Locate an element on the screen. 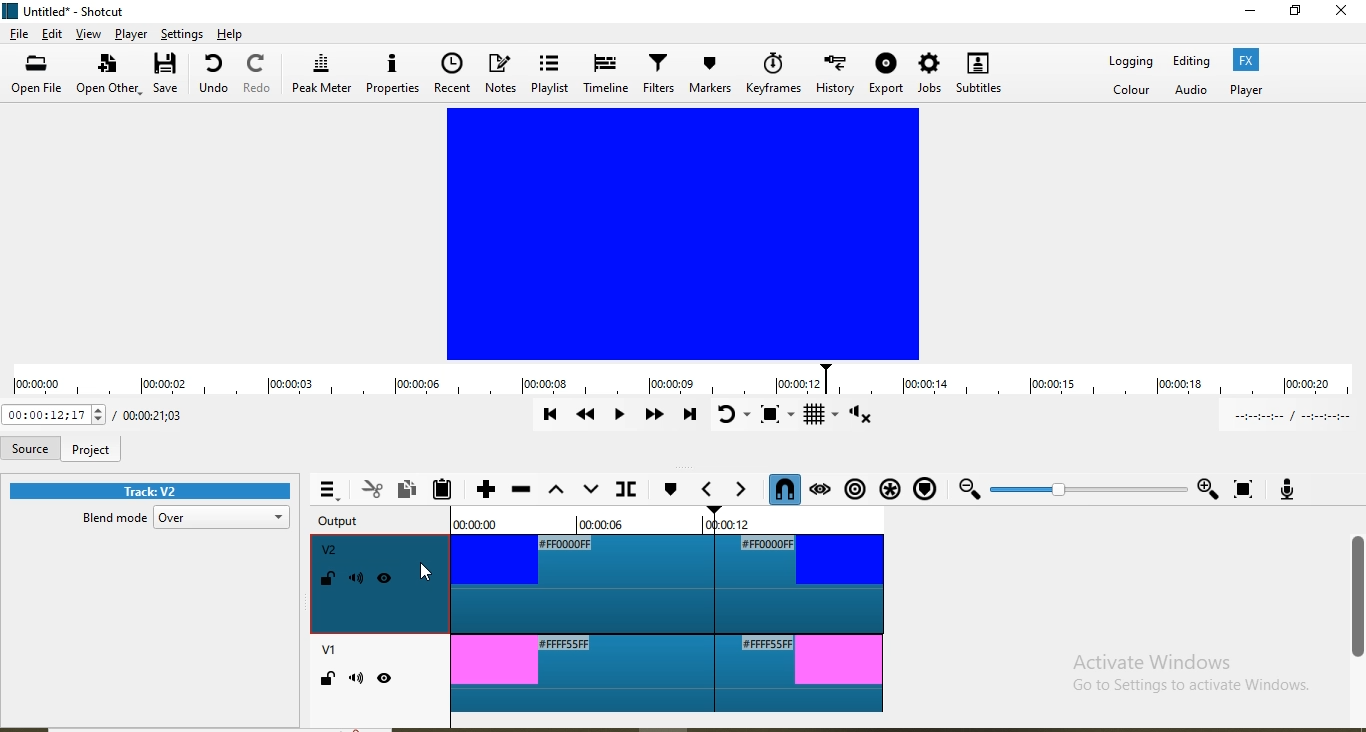  Media view  is located at coordinates (683, 235).